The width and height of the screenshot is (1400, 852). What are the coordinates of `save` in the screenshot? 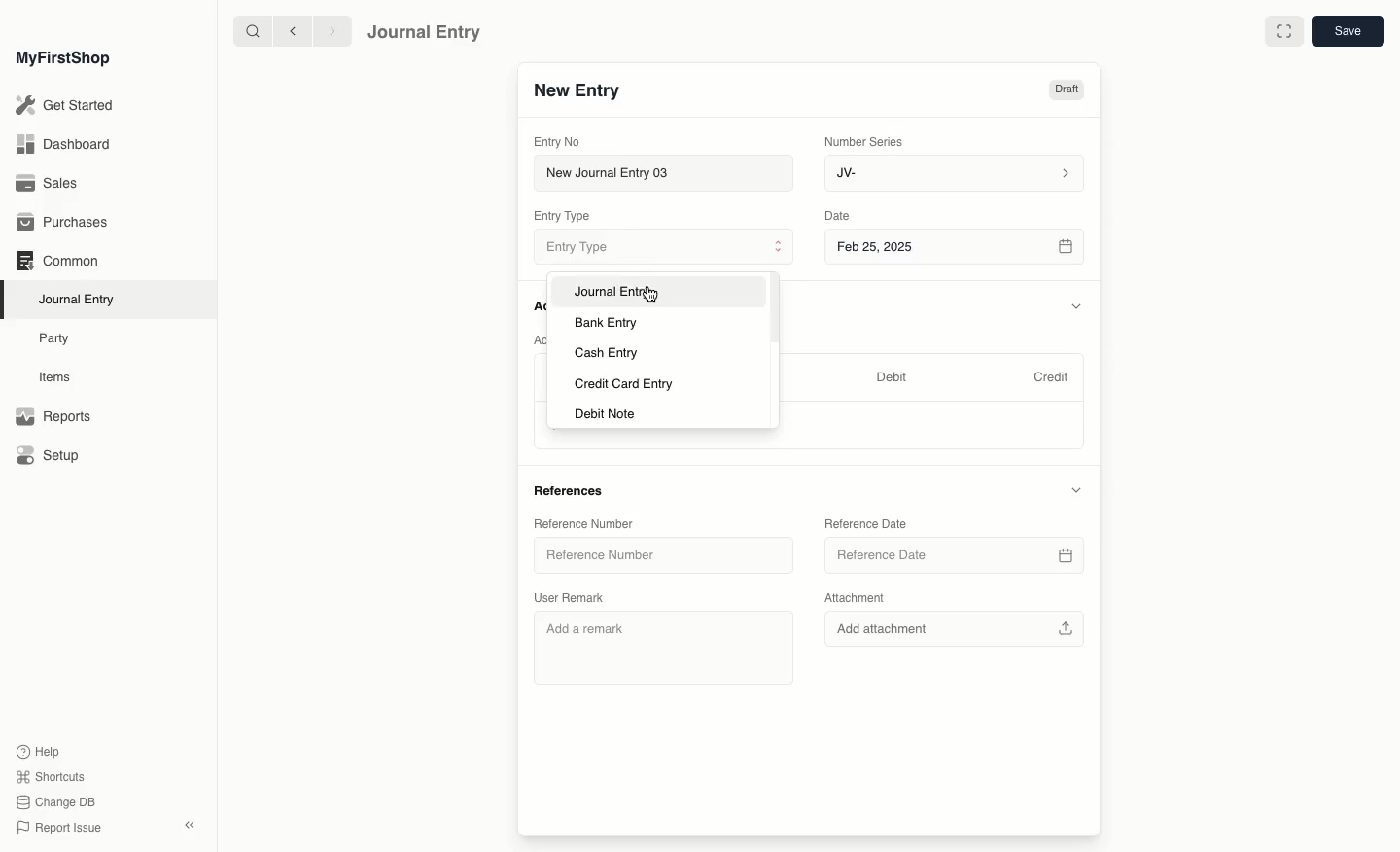 It's located at (1347, 32).